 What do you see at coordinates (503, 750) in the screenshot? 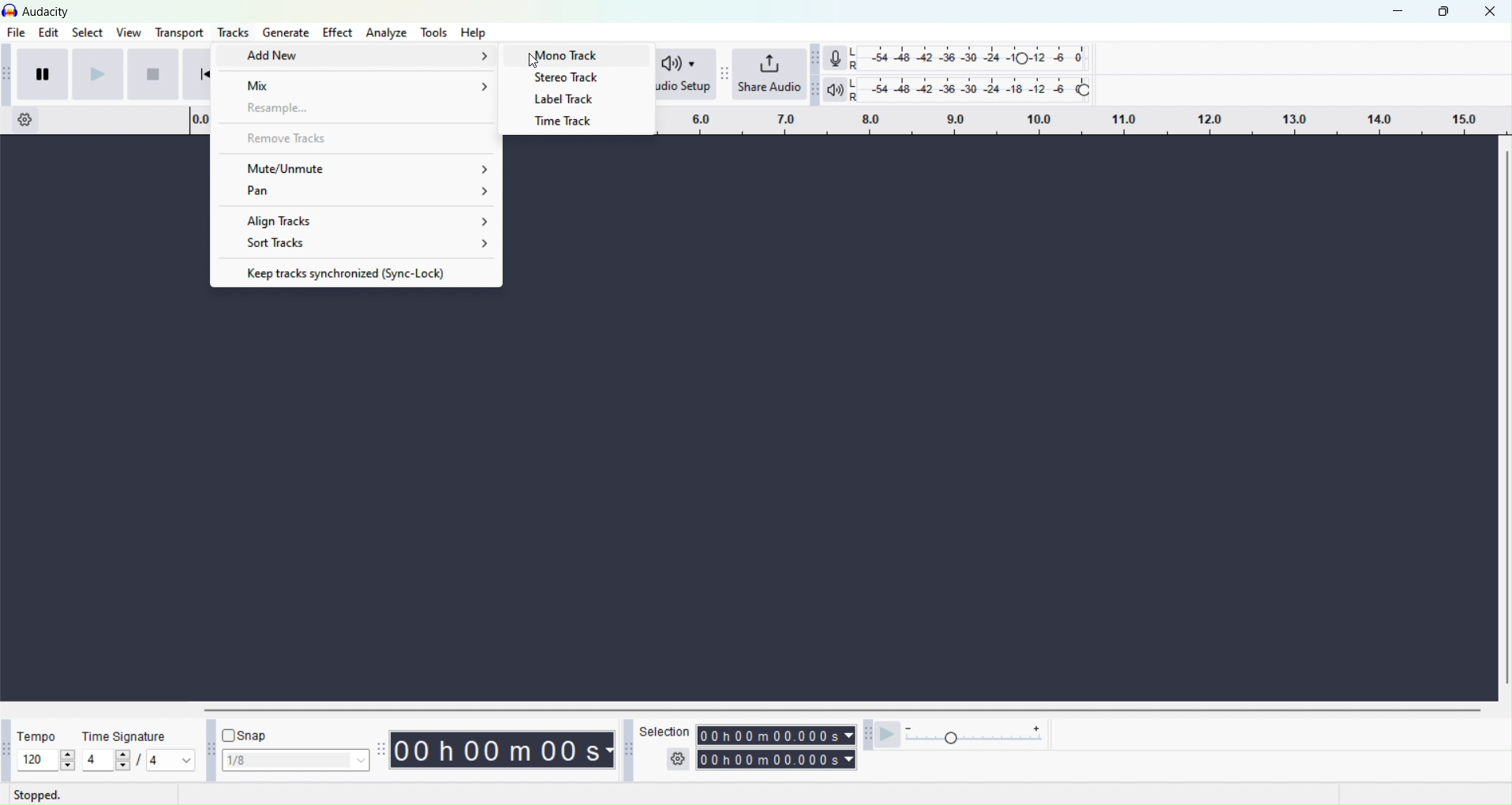
I see `Timing of track` at bounding box center [503, 750].